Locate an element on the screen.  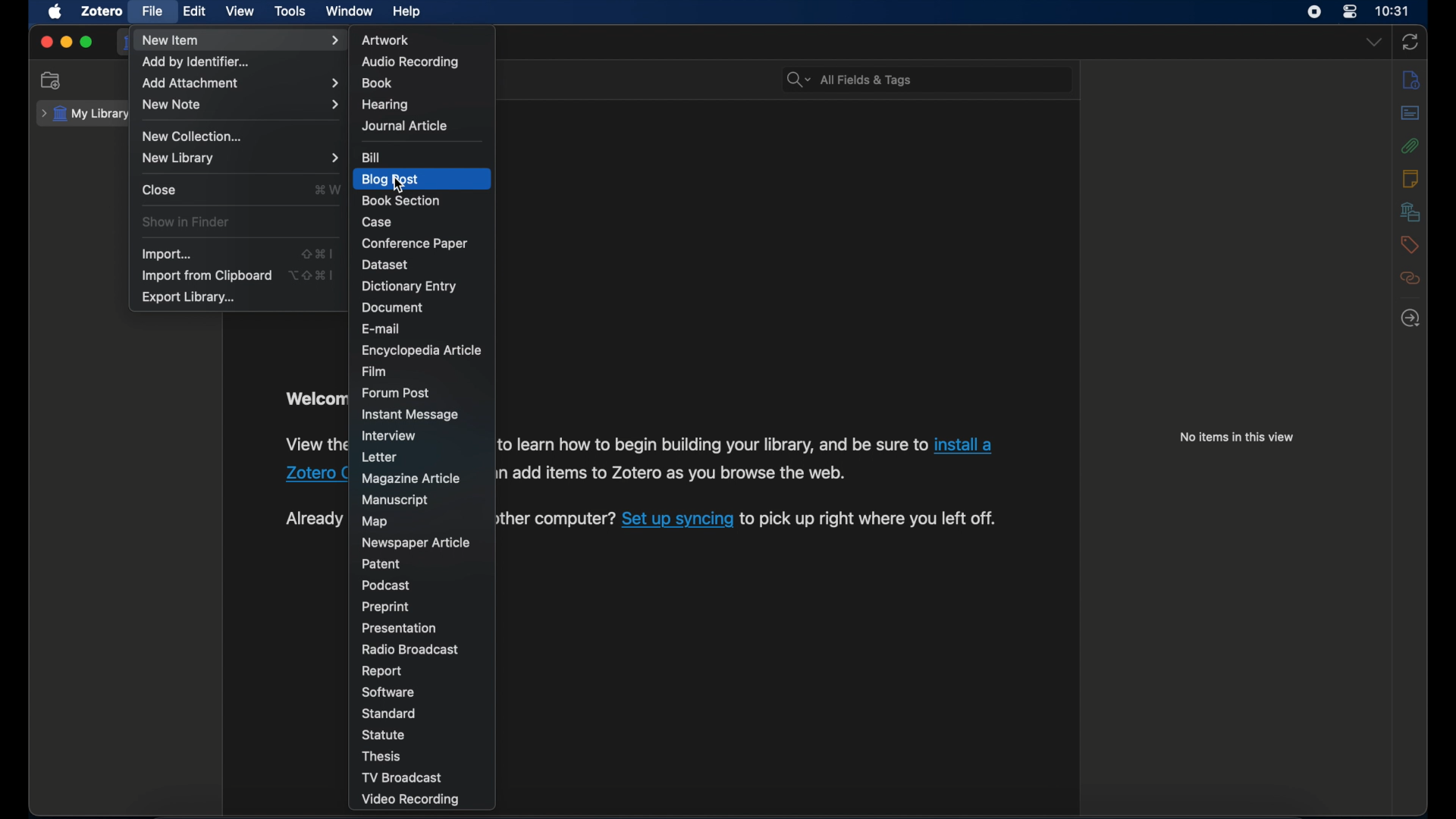
radio broadcast is located at coordinates (410, 649).